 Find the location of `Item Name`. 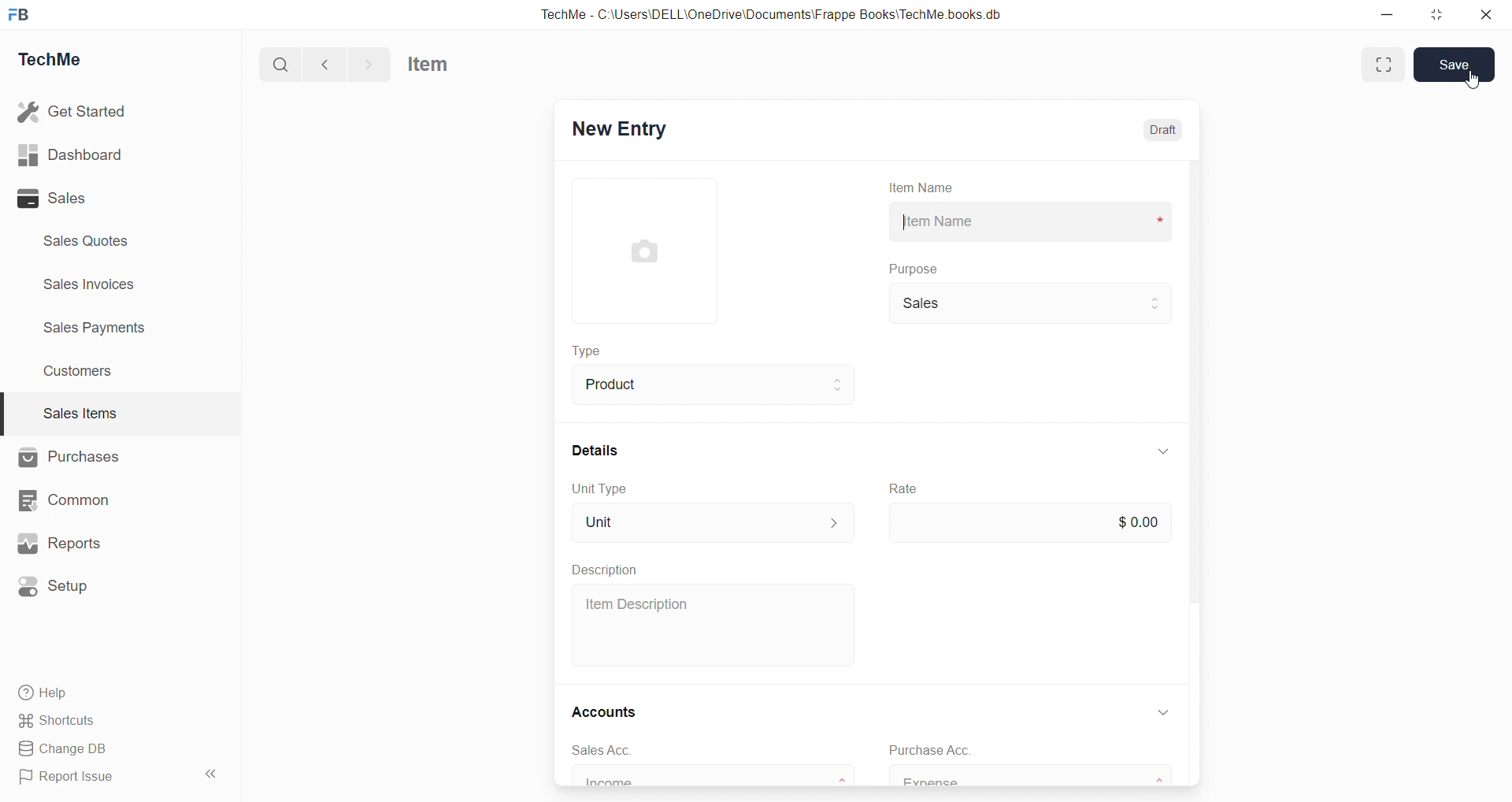

Item Name is located at coordinates (919, 188).